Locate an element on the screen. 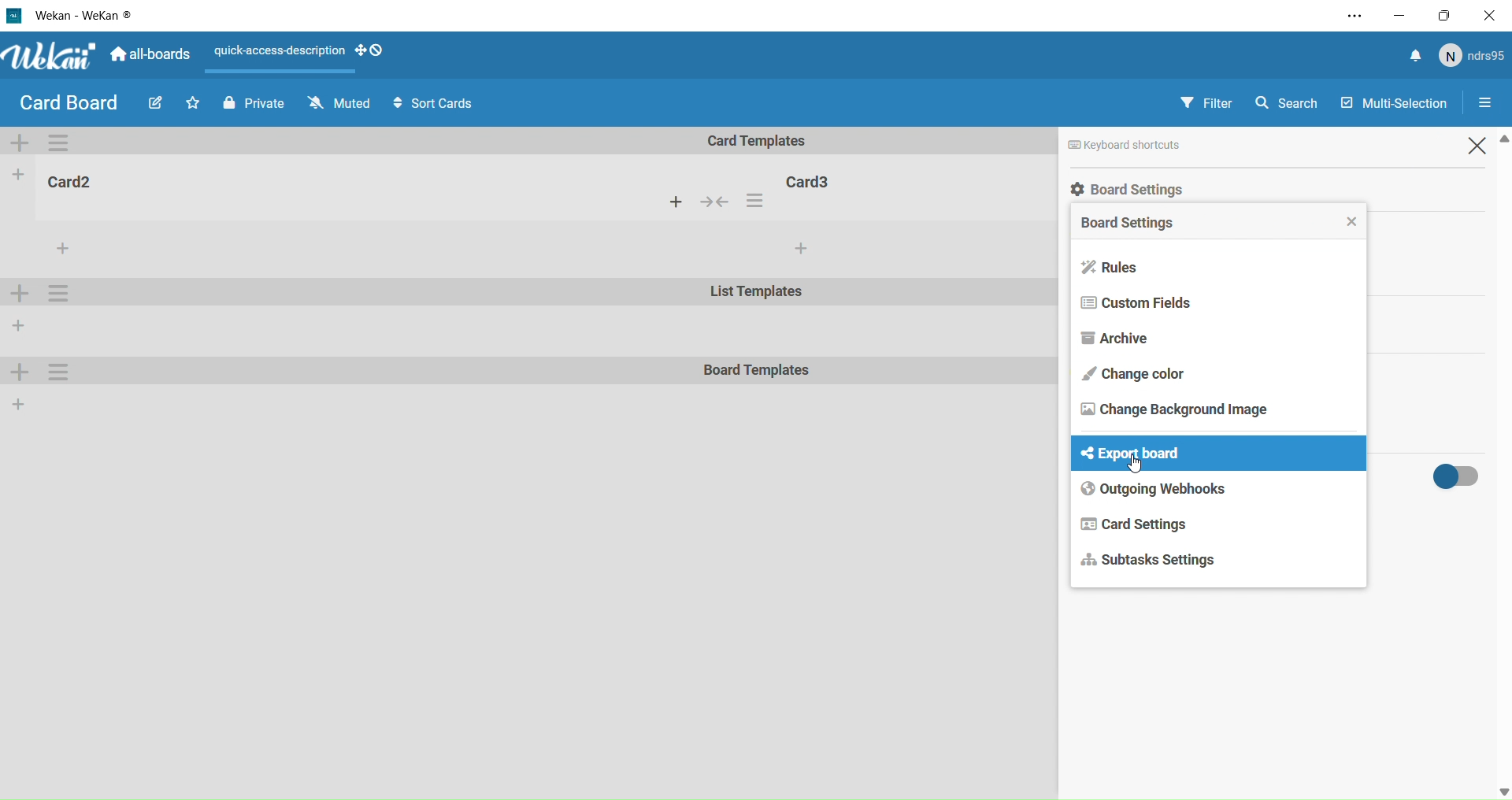  Add is located at coordinates (20, 403).